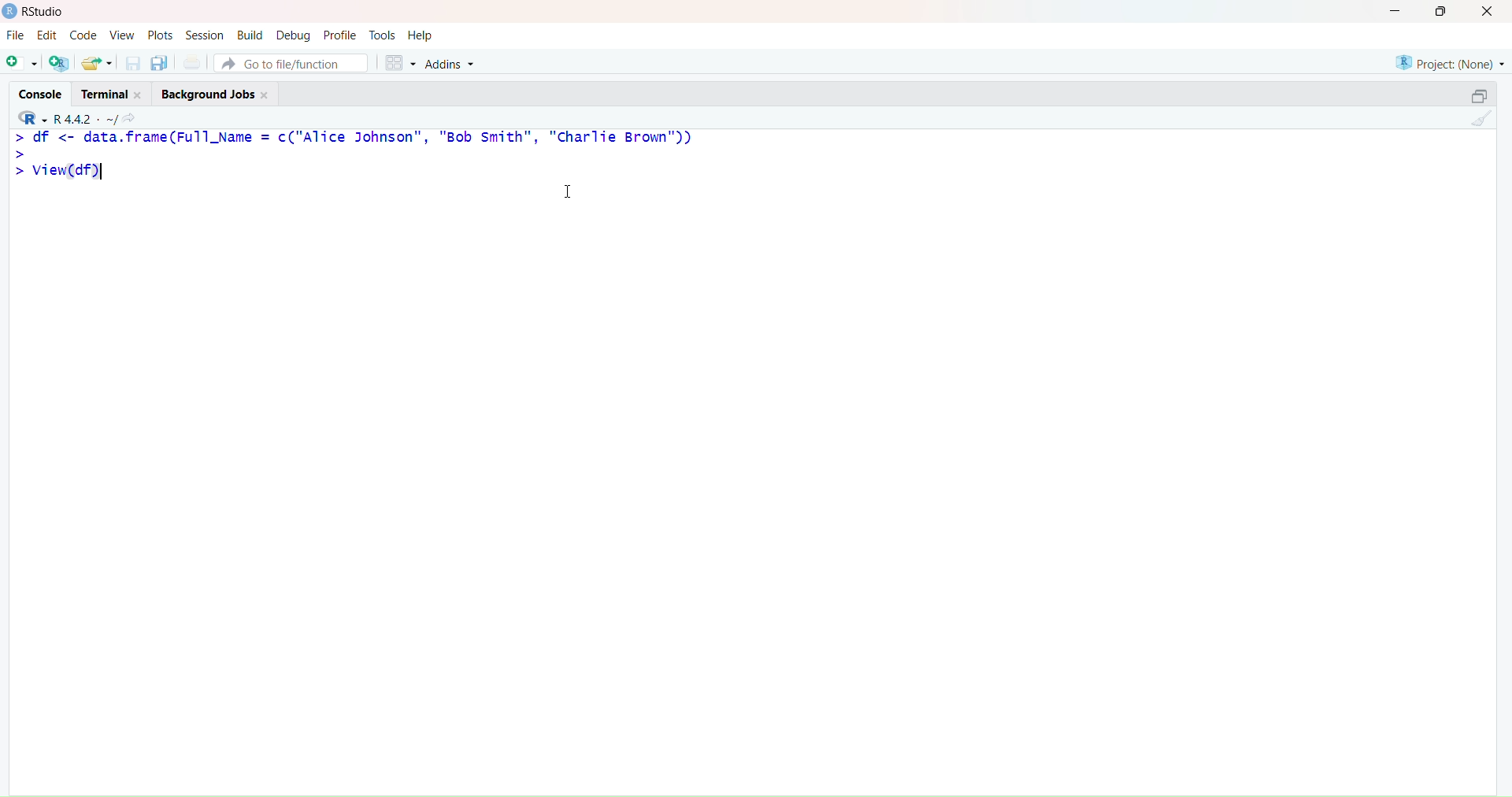  What do you see at coordinates (132, 64) in the screenshot?
I see `Save current document (Ctrl + S)` at bounding box center [132, 64].